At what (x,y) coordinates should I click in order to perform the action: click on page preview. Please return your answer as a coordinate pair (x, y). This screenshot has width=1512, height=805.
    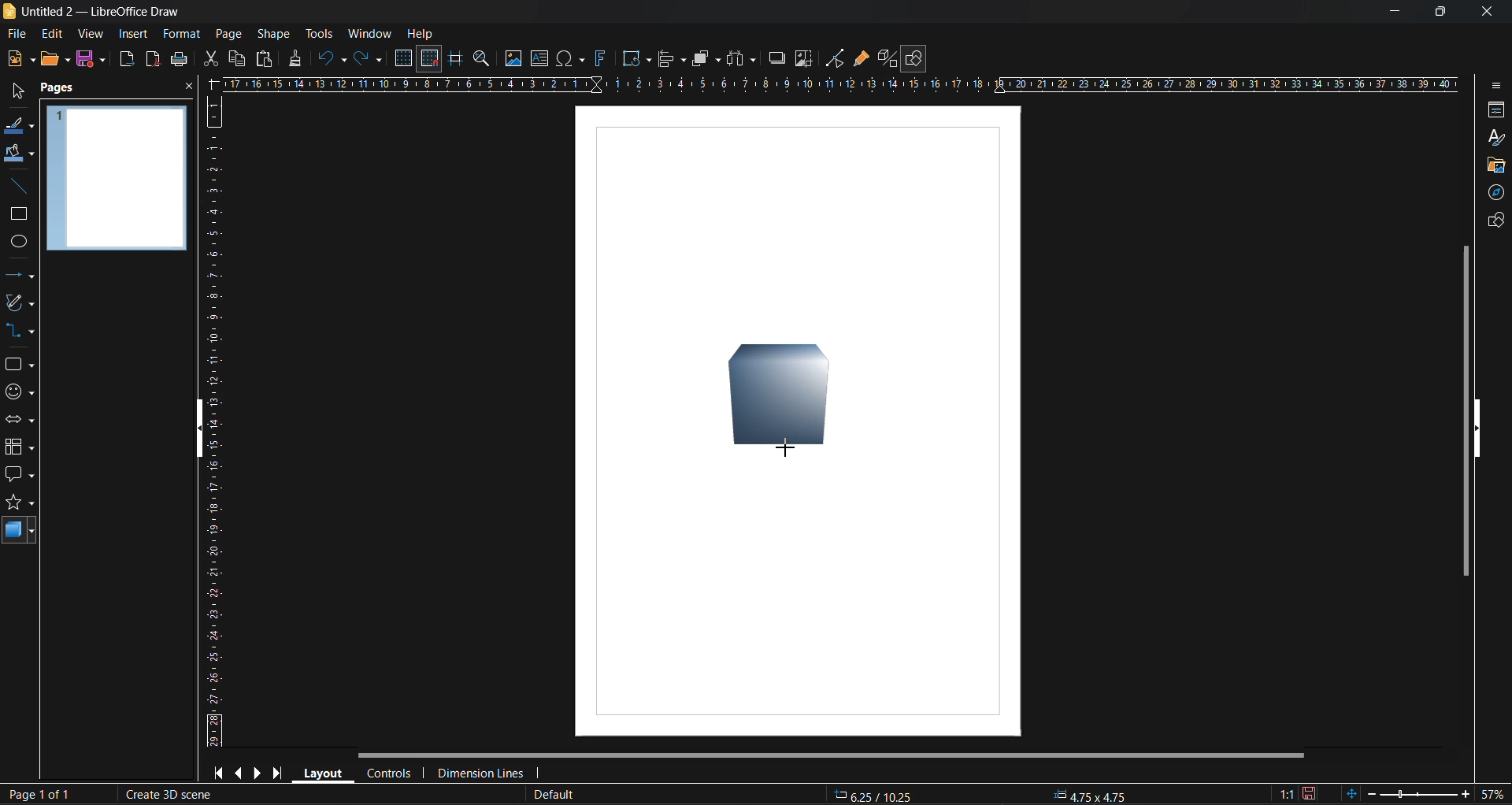
    Looking at the image, I should click on (120, 180).